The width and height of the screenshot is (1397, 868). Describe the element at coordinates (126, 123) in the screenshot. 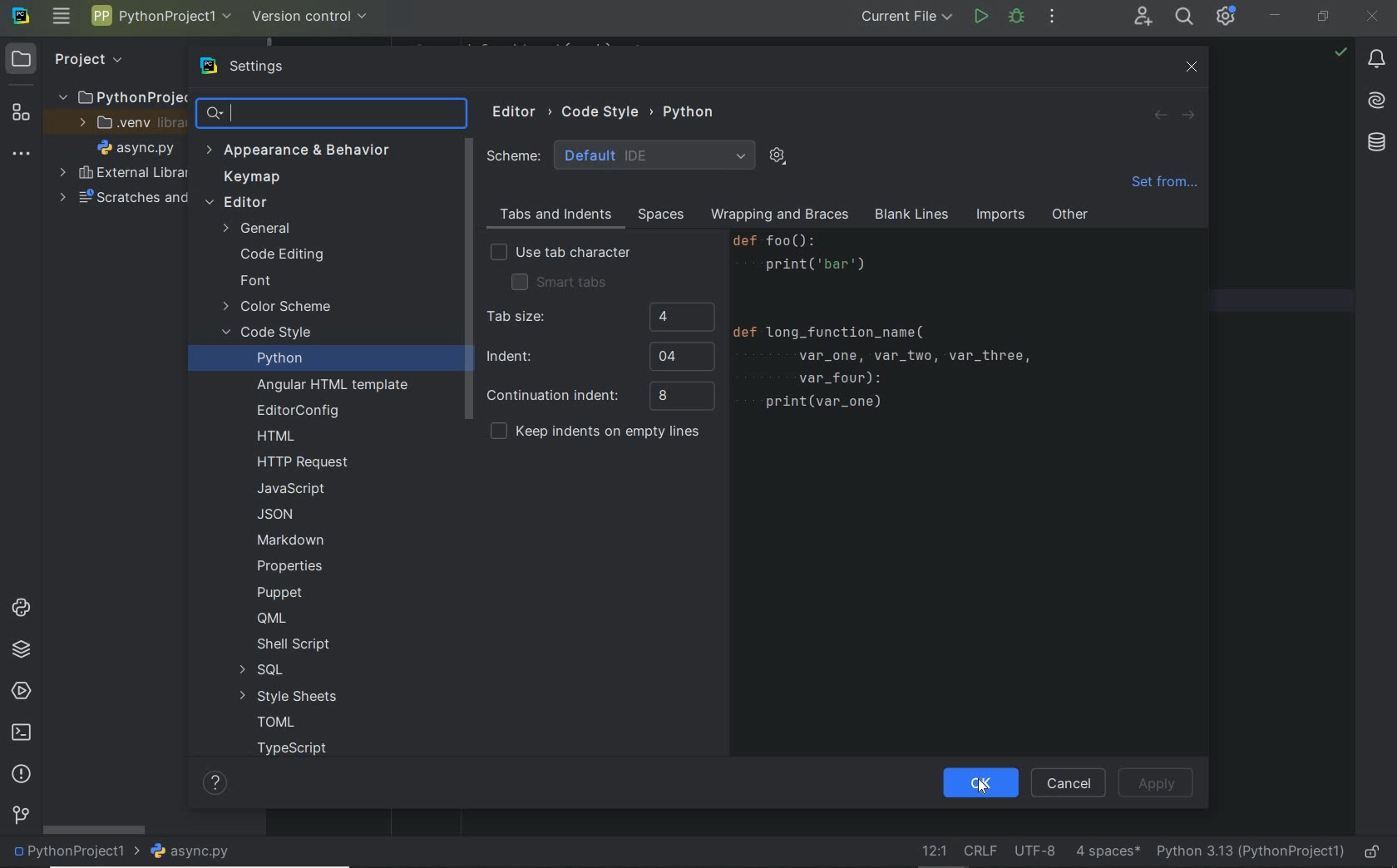

I see `.veny` at that location.